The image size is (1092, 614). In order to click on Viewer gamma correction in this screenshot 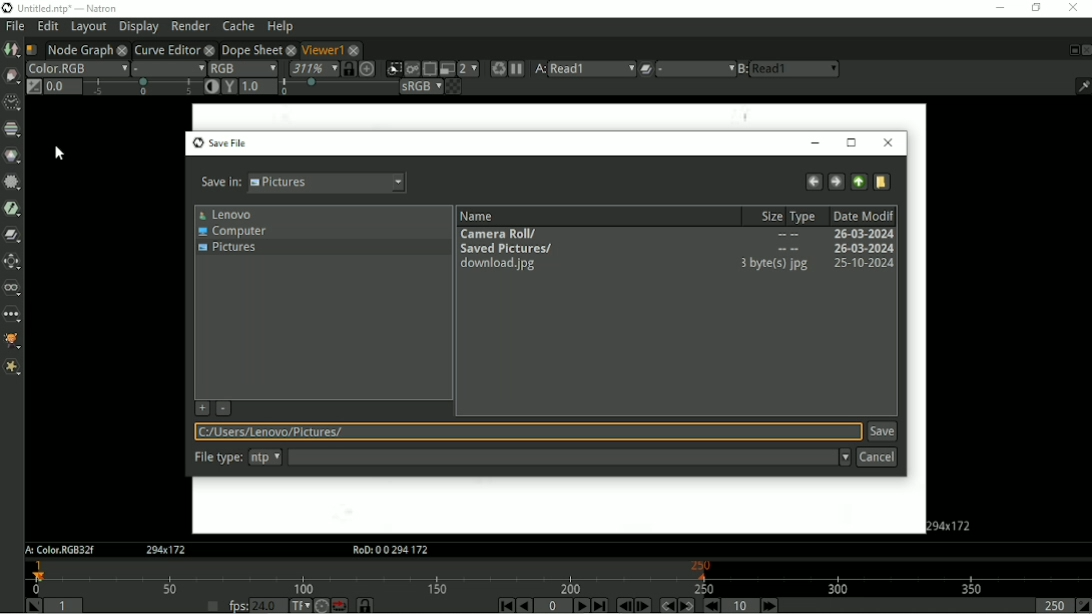, I will do `click(229, 87)`.